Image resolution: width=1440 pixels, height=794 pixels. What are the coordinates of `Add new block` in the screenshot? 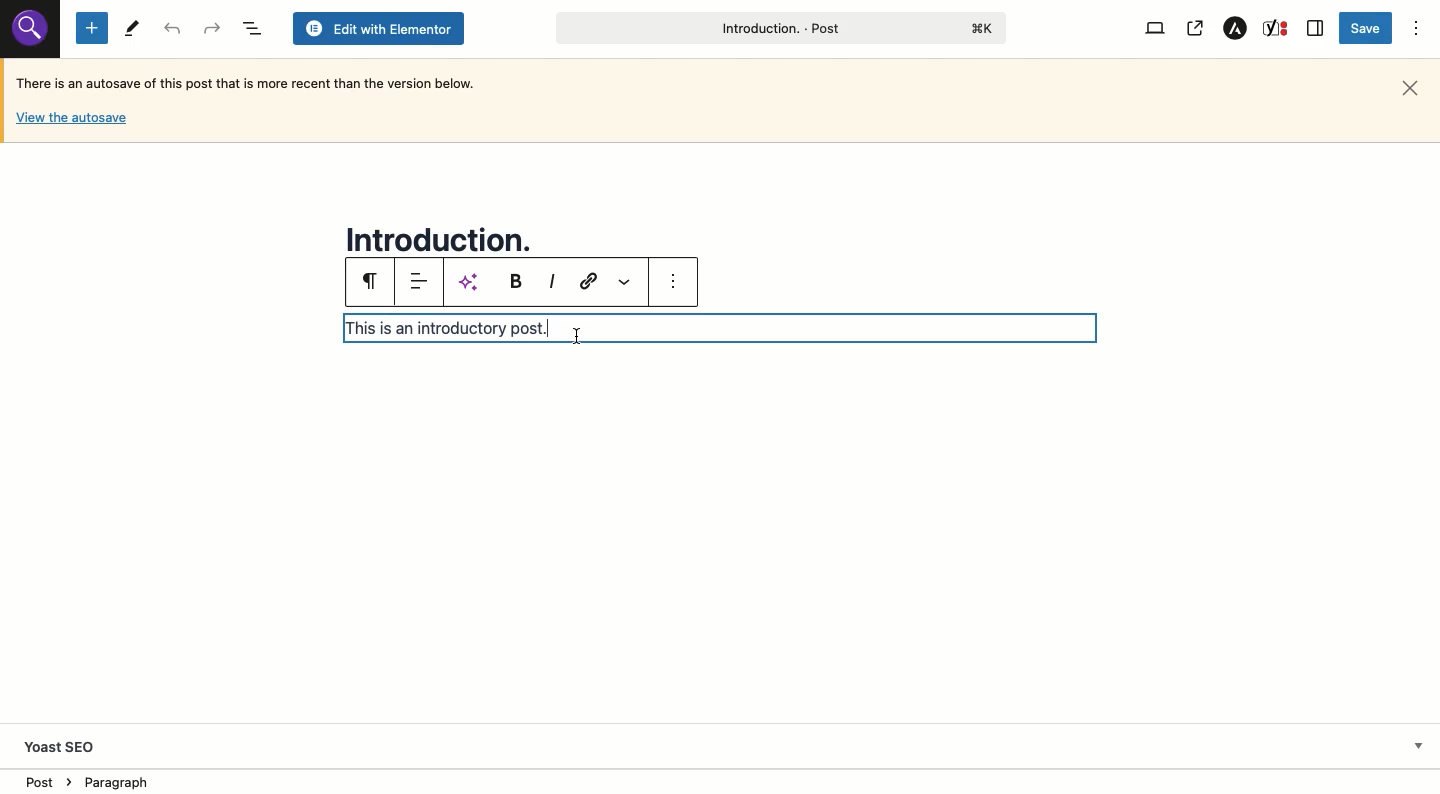 It's located at (92, 27).